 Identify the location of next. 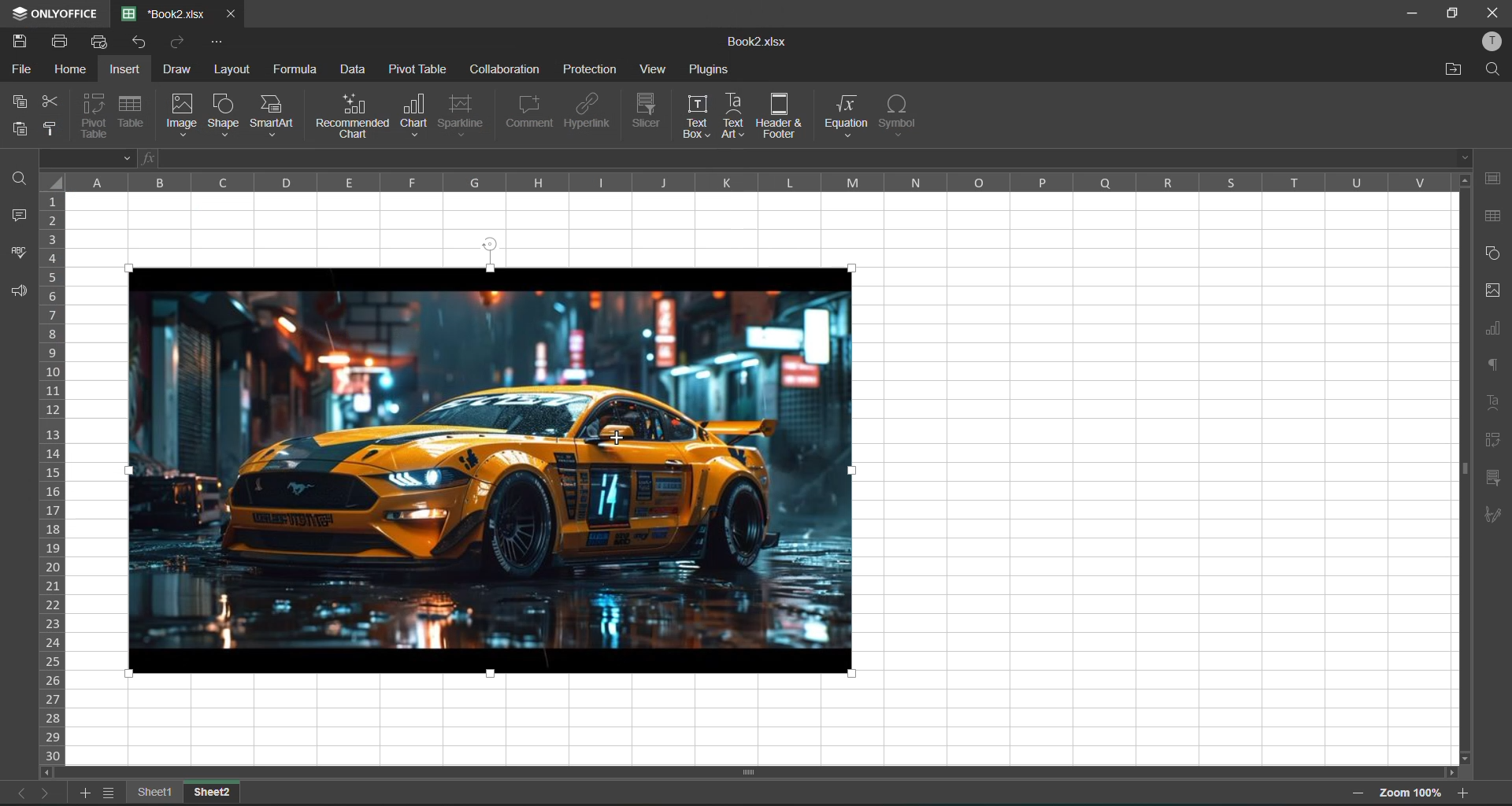
(48, 792).